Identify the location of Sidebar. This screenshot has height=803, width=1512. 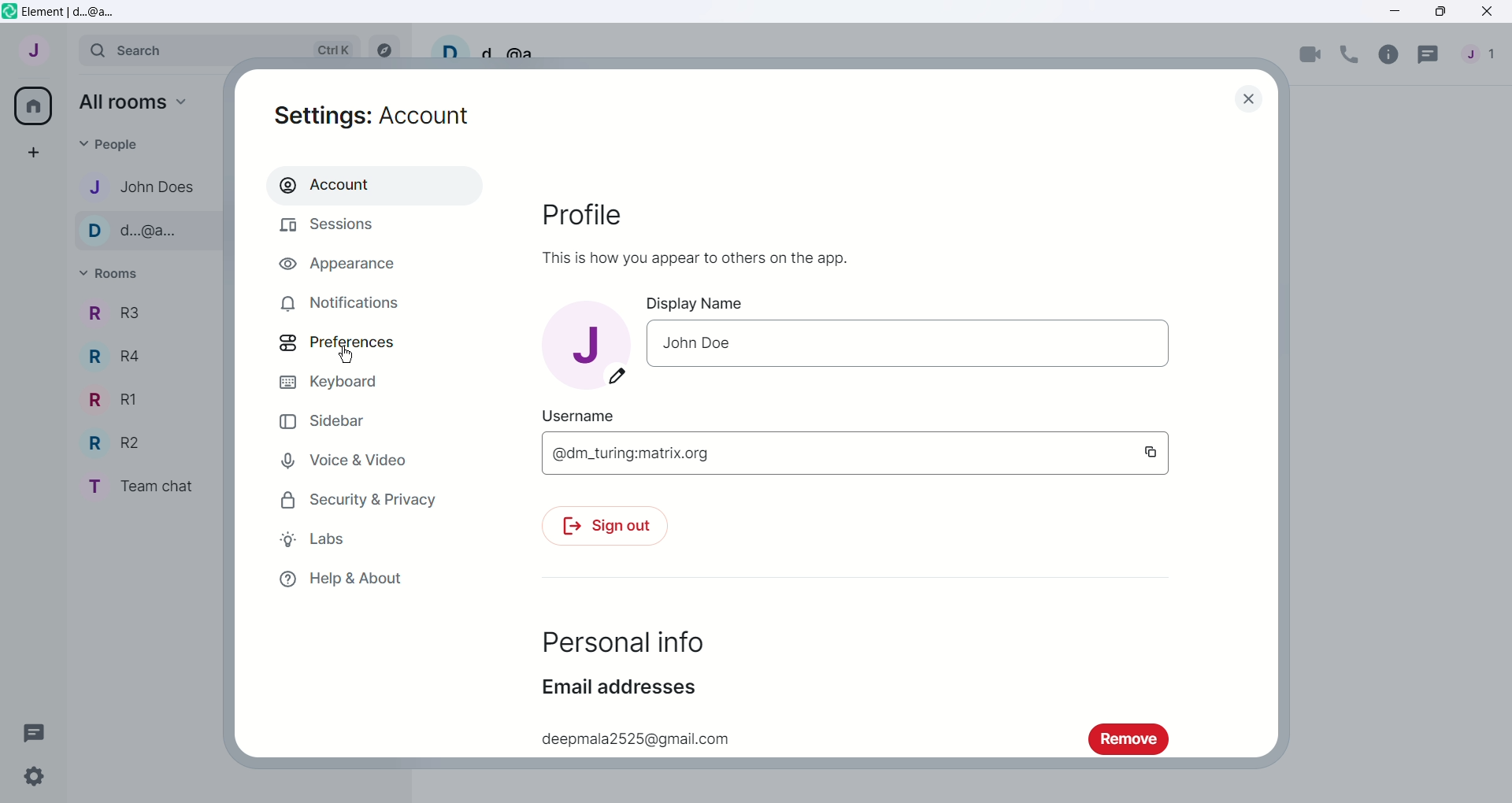
(349, 420).